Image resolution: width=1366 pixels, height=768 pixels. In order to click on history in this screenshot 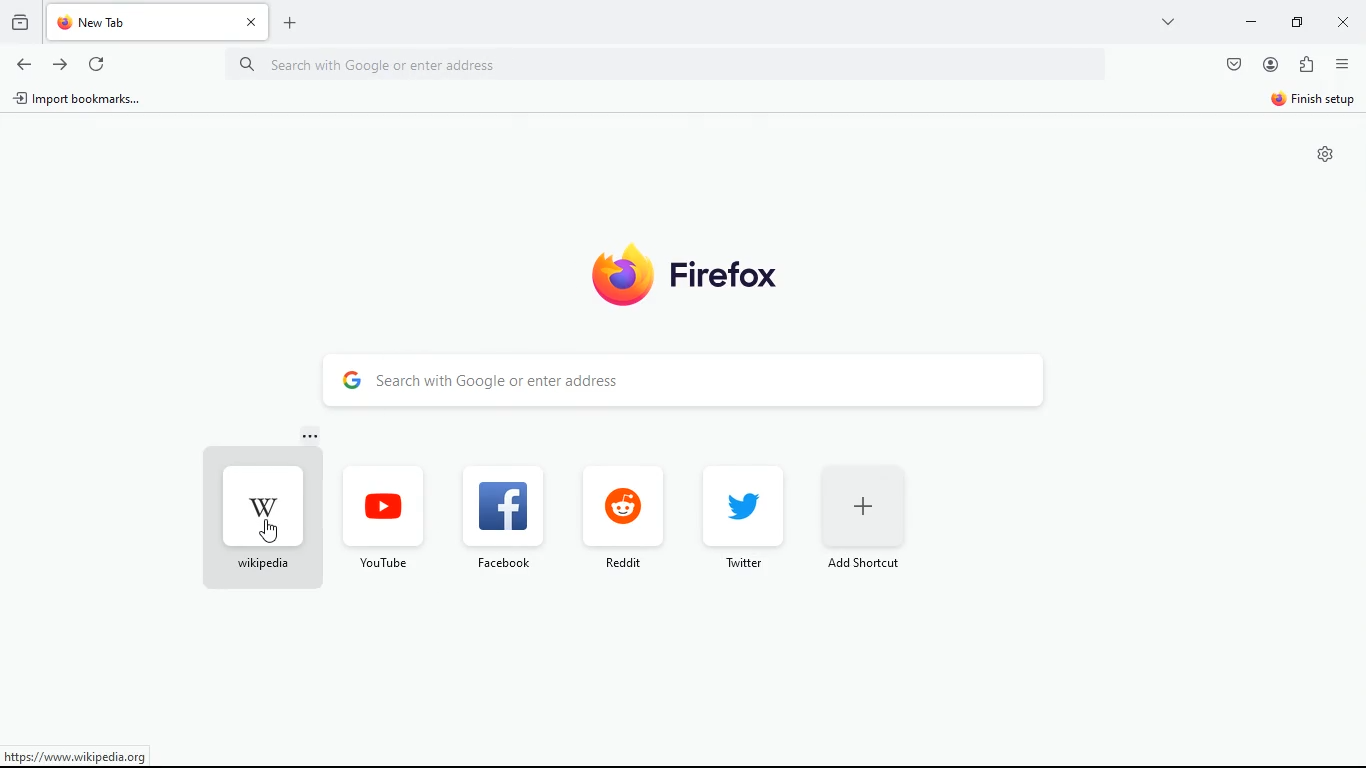, I will do `click(19, 24)`.